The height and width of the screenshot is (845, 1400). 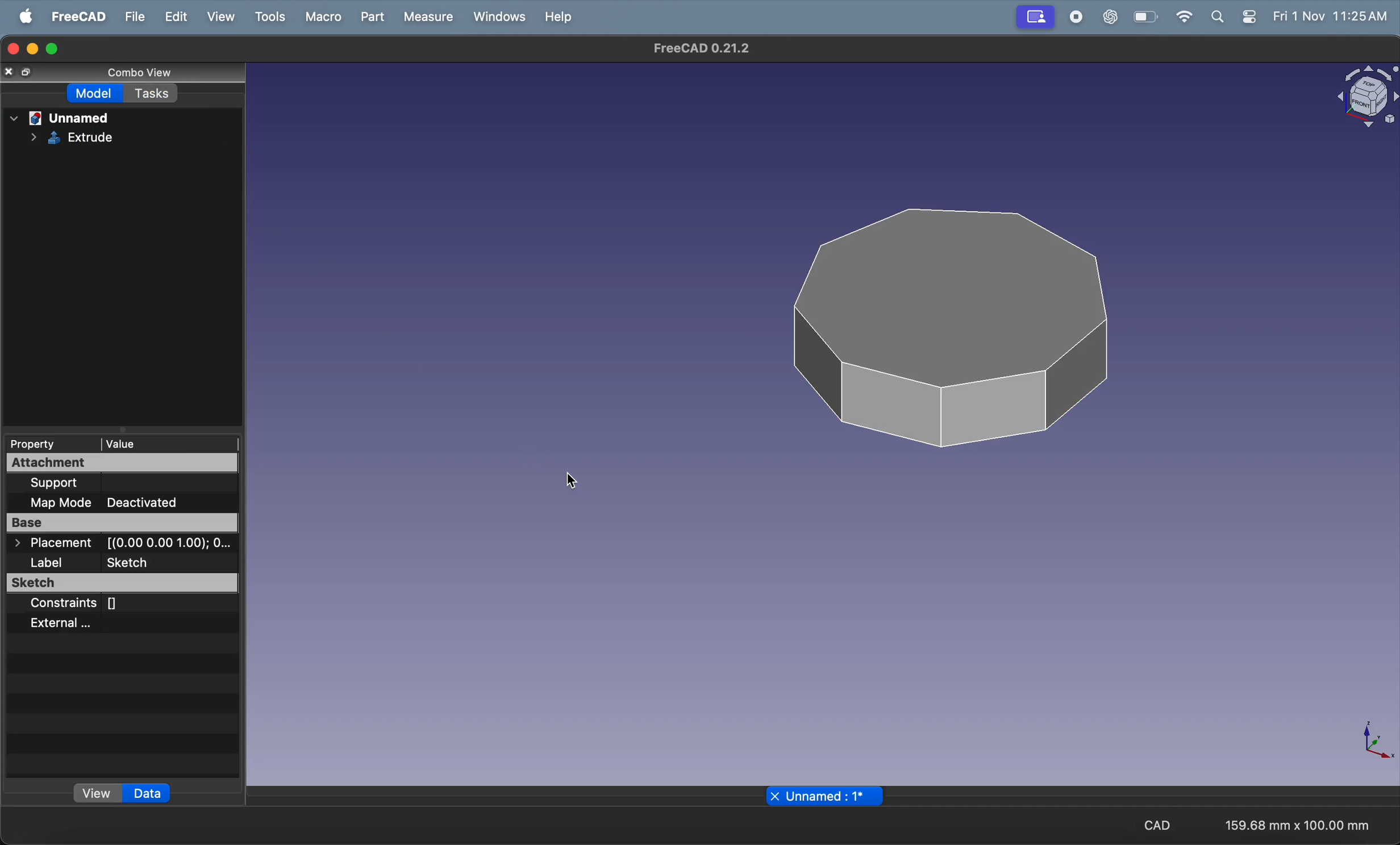 What do you see at coordinates (87, 625) in the screenshot?
I see `external` at bounding box center [87, 625].